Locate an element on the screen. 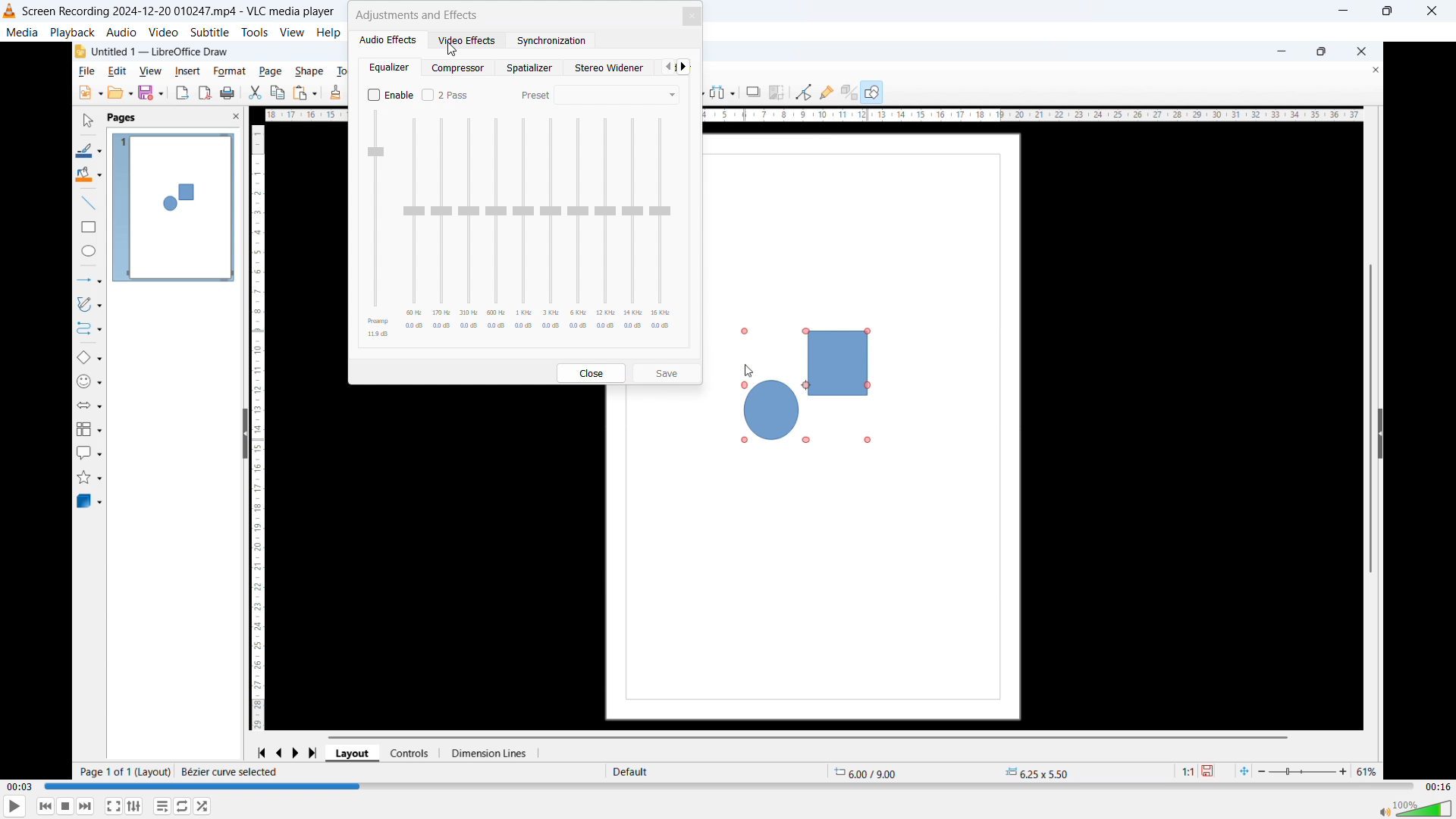 The height and width of the screenshot is (819, 1456). media is located at coordinates (22, 31).